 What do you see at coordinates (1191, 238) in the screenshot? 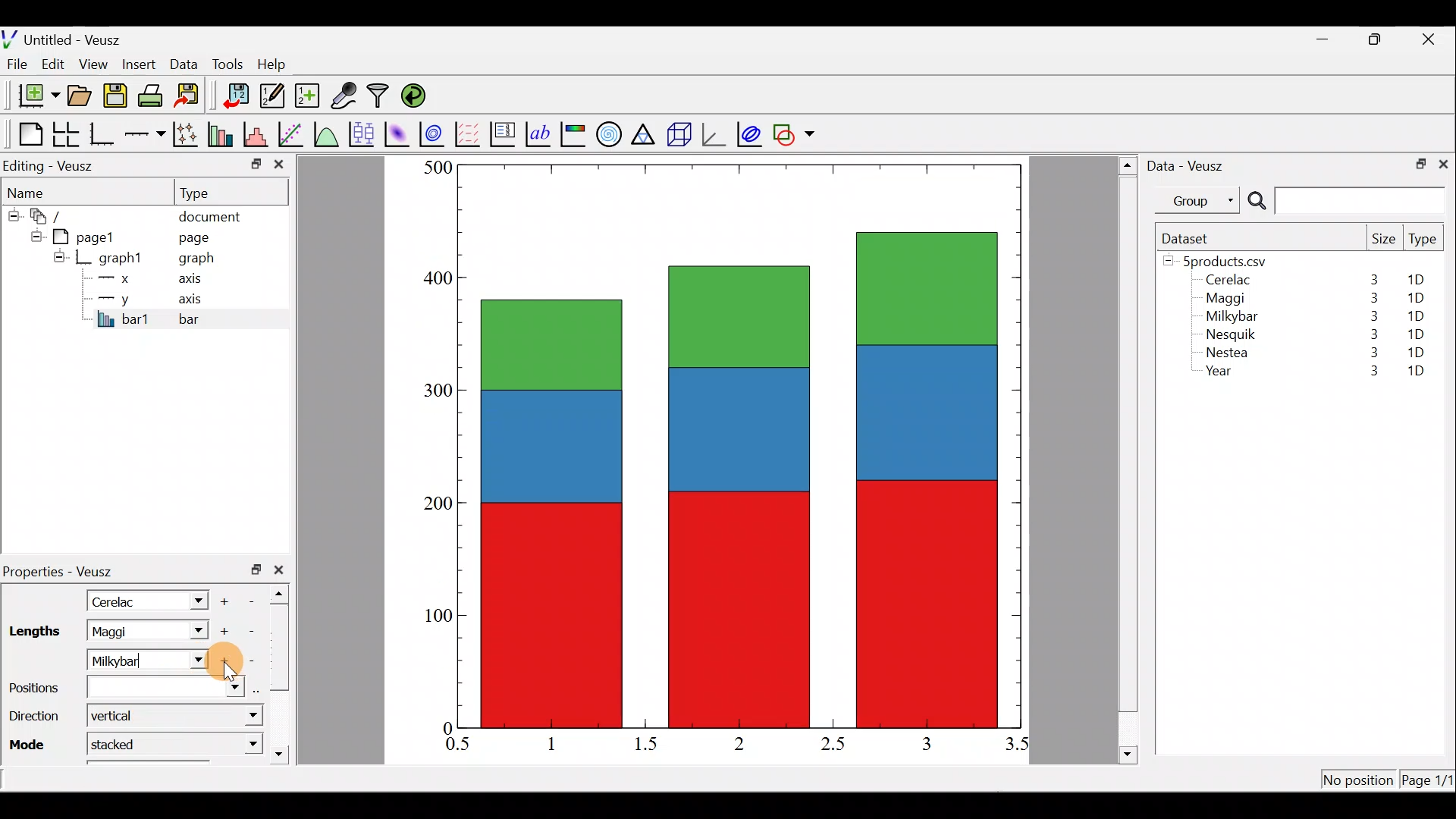
I see `Dataset` at bounding box center [1191, 238].